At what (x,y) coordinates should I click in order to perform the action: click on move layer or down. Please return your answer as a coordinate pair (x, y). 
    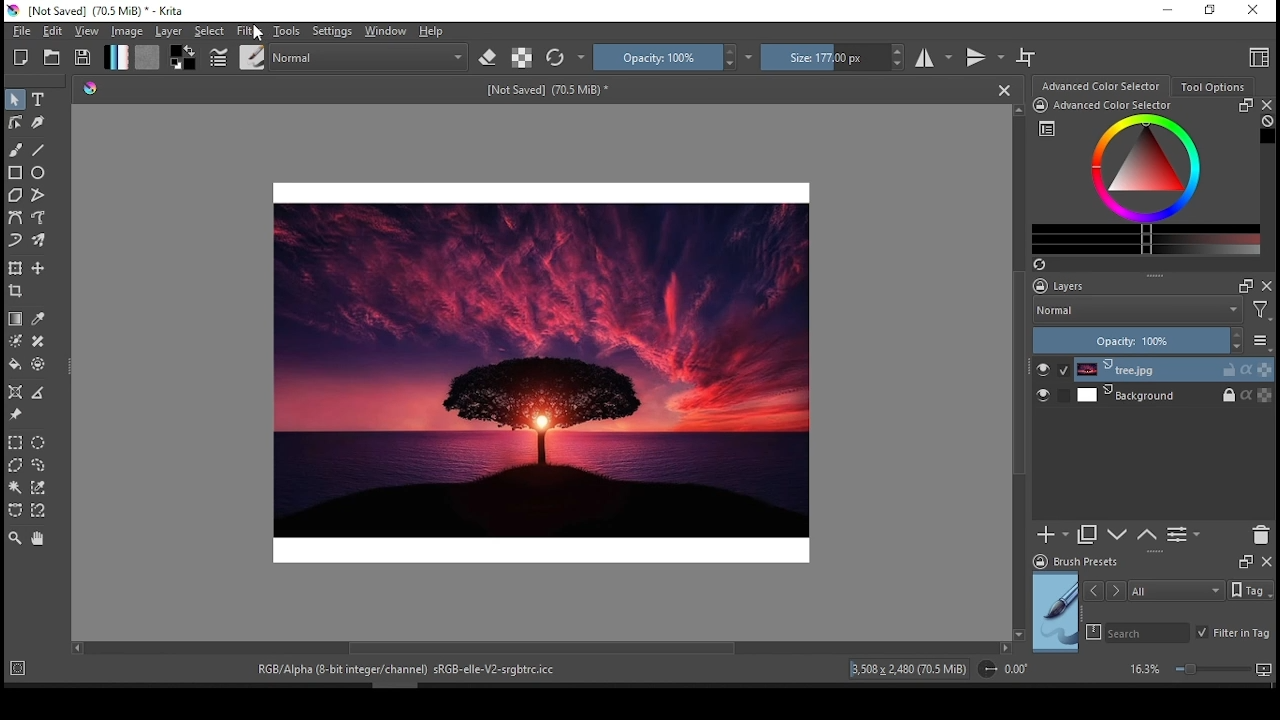
    Looking at the image, I should click on (1118, 537).